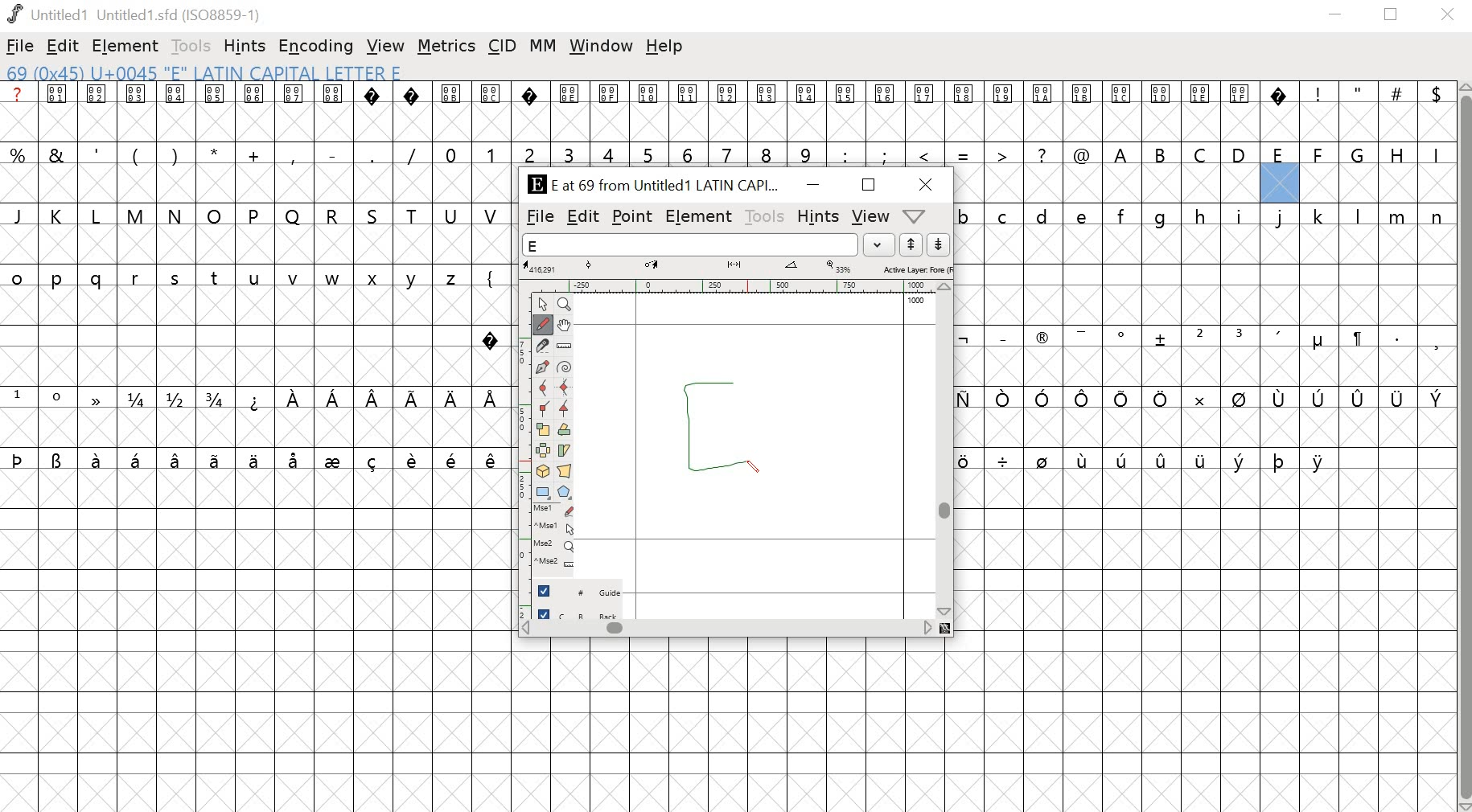 The image size is (1472, 812). I want to click on 1000, so click(917, 301).